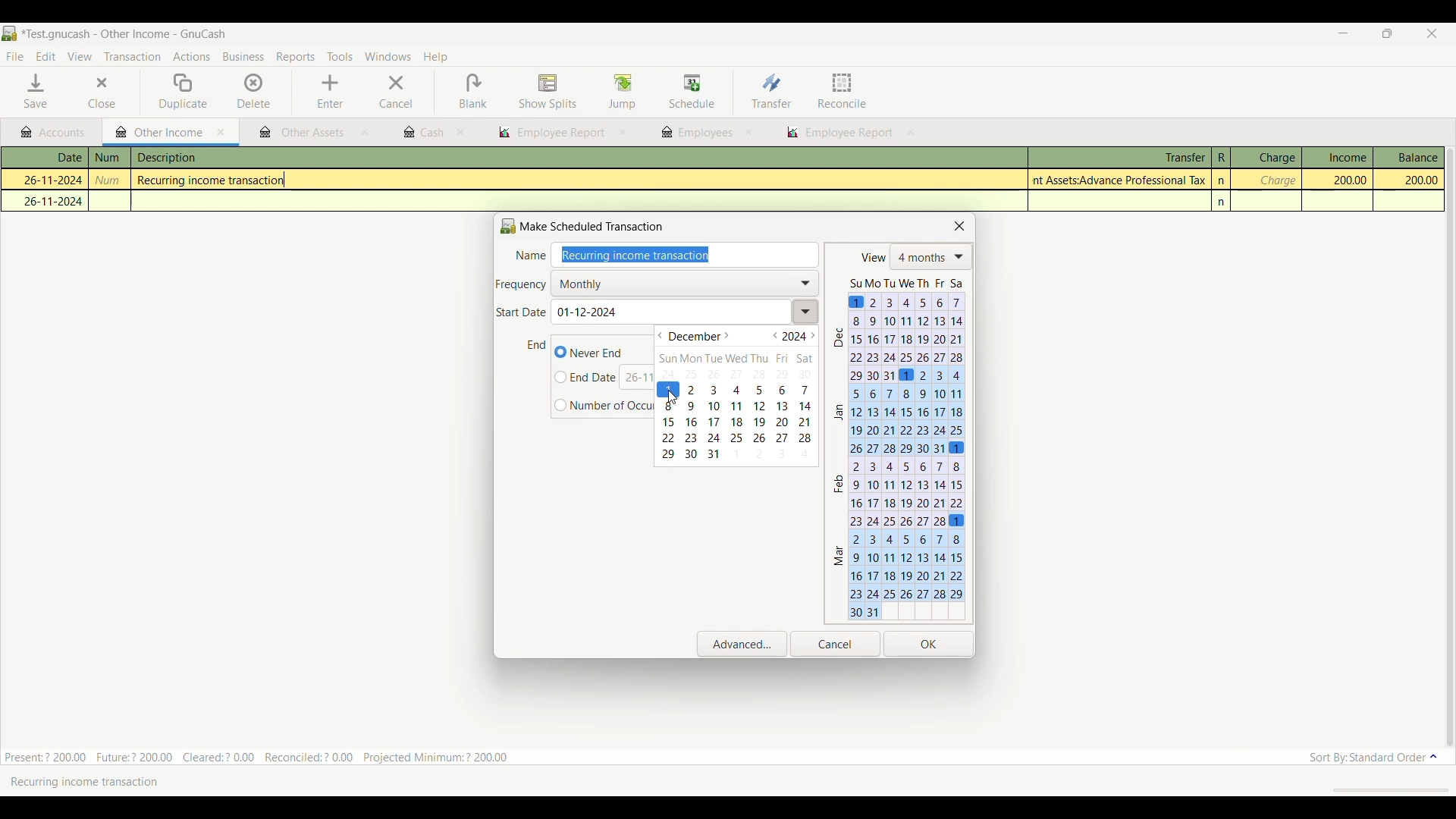 This screenshot has width=1456, height=819. What do you see at coordinates (1342, 180) in the screenshot?
I see `200.00` at bounding box center [1342, 180].